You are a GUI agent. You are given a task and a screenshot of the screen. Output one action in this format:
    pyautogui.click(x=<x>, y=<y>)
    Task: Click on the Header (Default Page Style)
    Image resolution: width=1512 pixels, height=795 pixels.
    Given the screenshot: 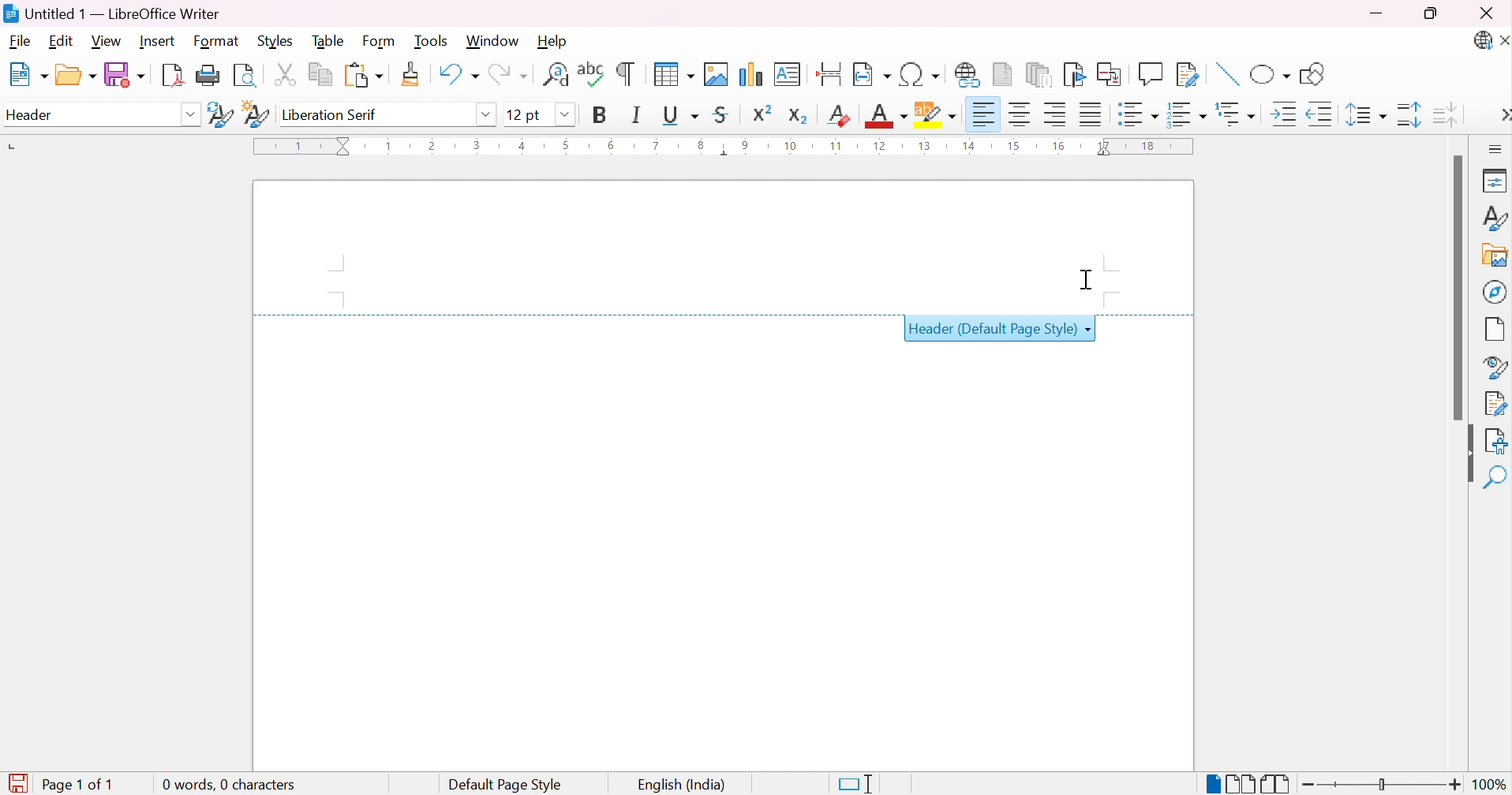 What is the action you would take?
    pyautogui.click(x=994, y=332)
    